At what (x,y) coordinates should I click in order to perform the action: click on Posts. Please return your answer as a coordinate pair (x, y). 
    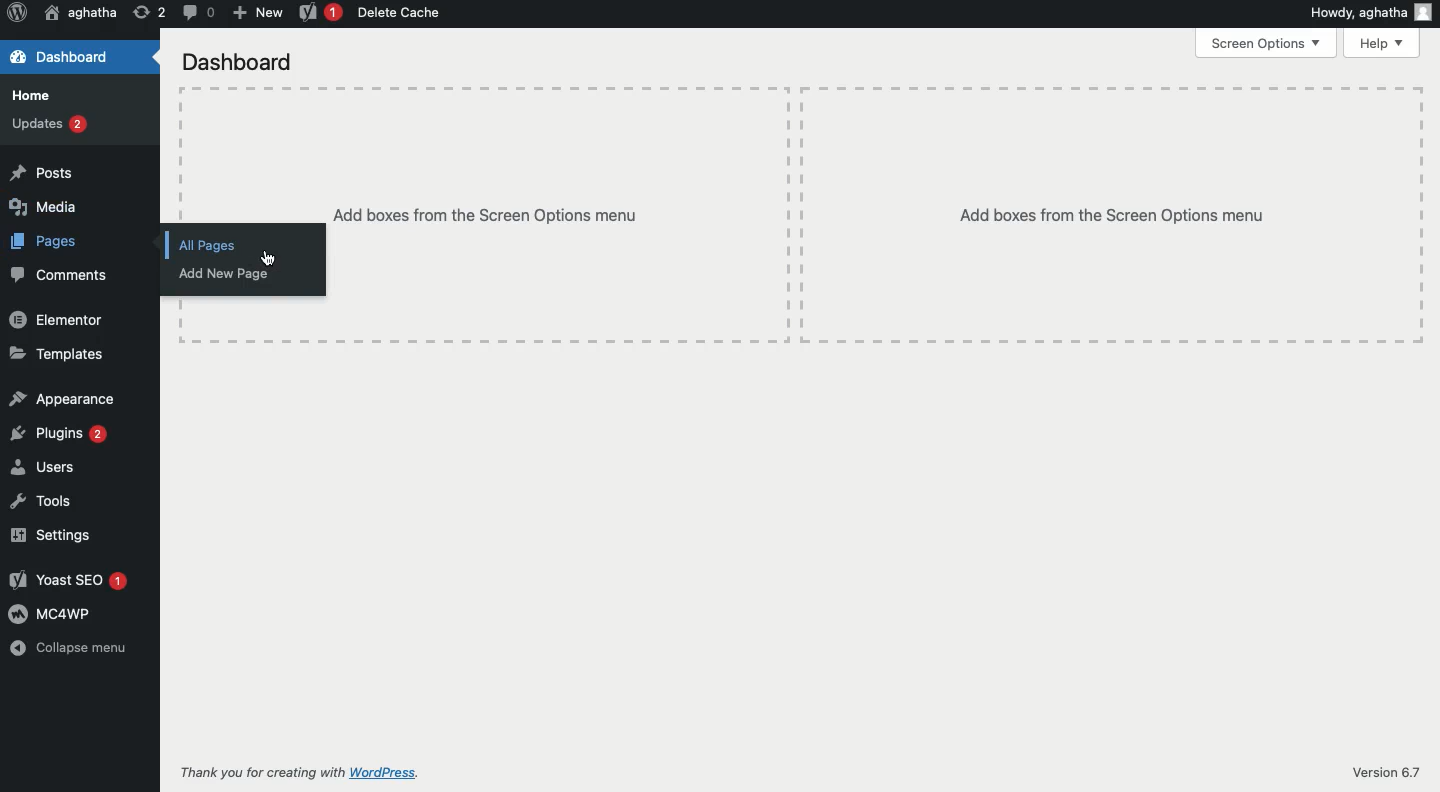
    Looking at the image, I should click on (39, 172).